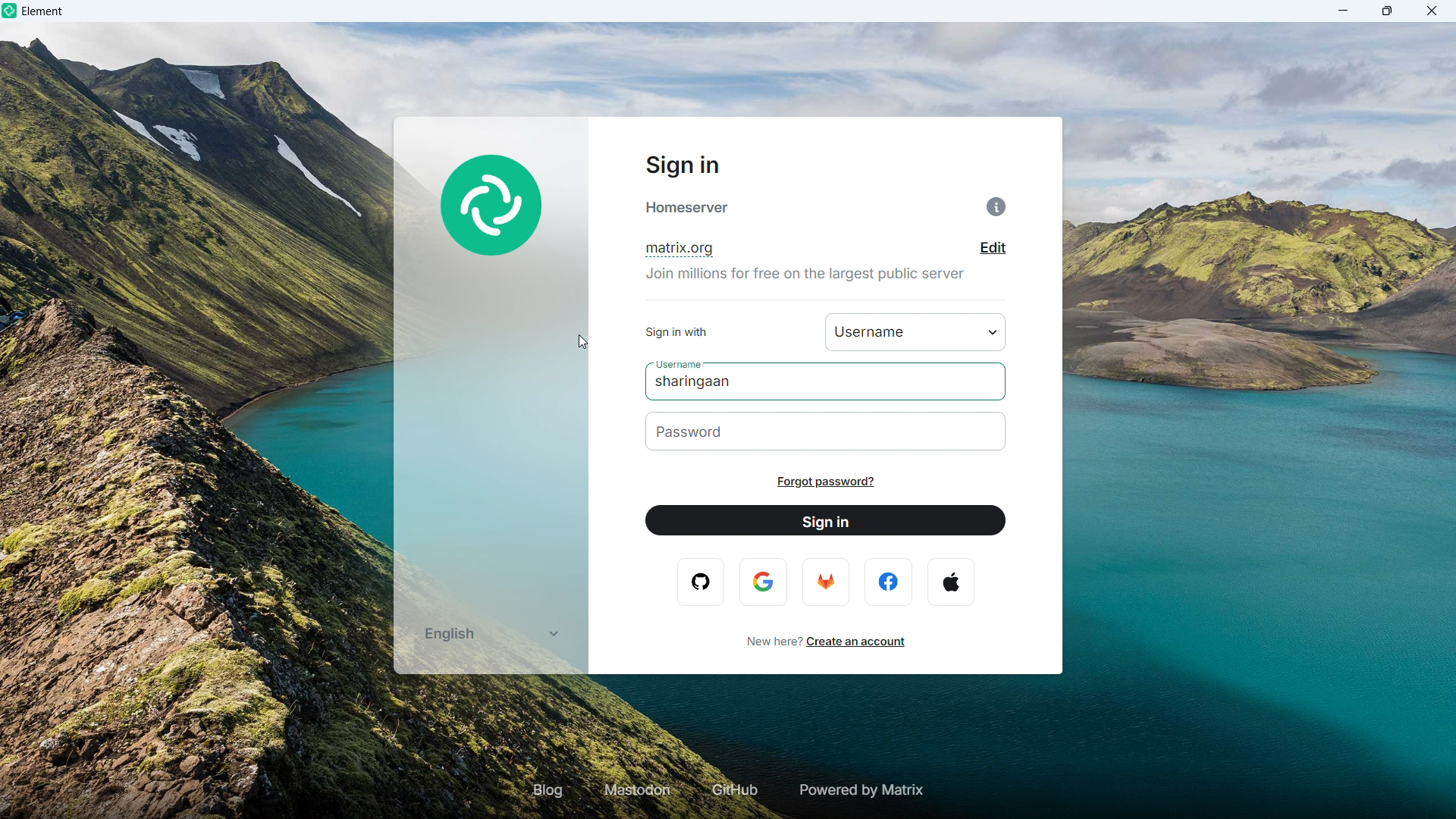 The image size is (1456, 819). What do you see at coordinates (996, 207) in the screenshot?
I see `Information ` at bounding box center [996, 207].